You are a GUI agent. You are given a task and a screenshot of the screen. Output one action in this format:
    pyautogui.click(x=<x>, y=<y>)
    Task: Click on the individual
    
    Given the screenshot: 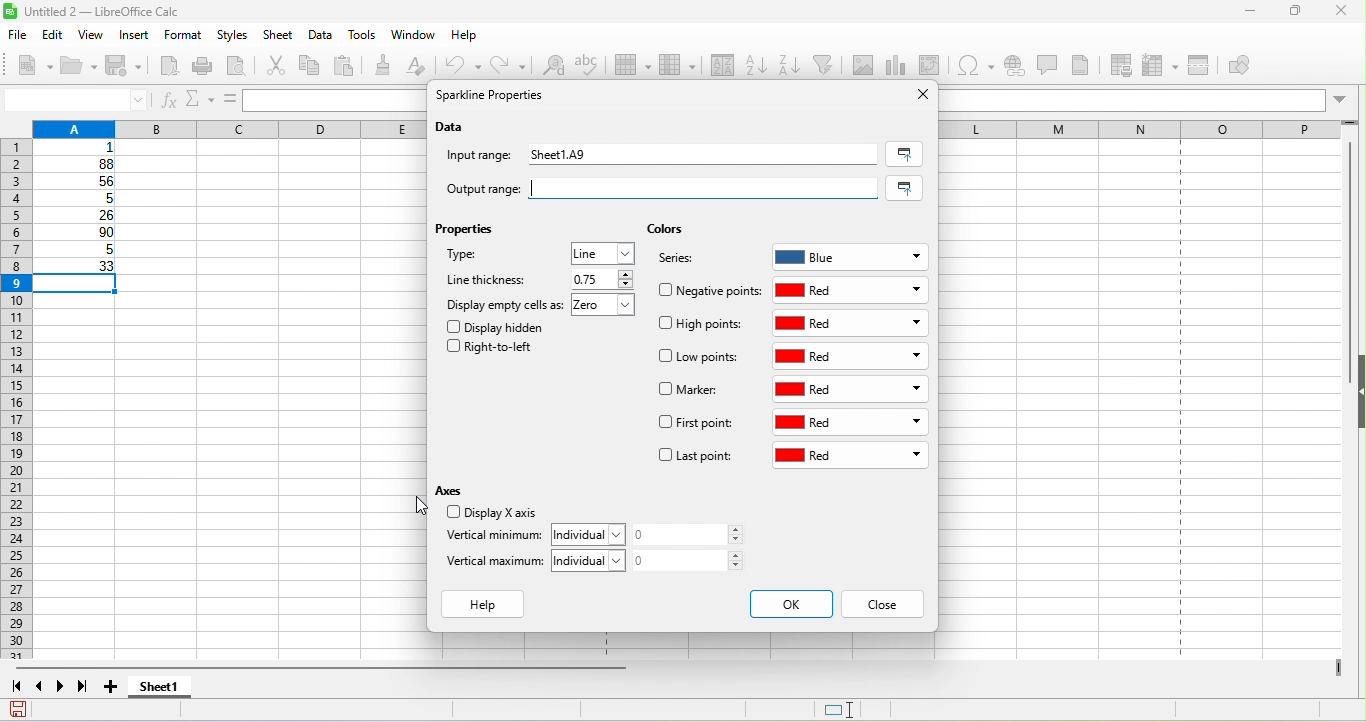 What is the action you would take?
    pyautogui.click(x=593, y=533)
    